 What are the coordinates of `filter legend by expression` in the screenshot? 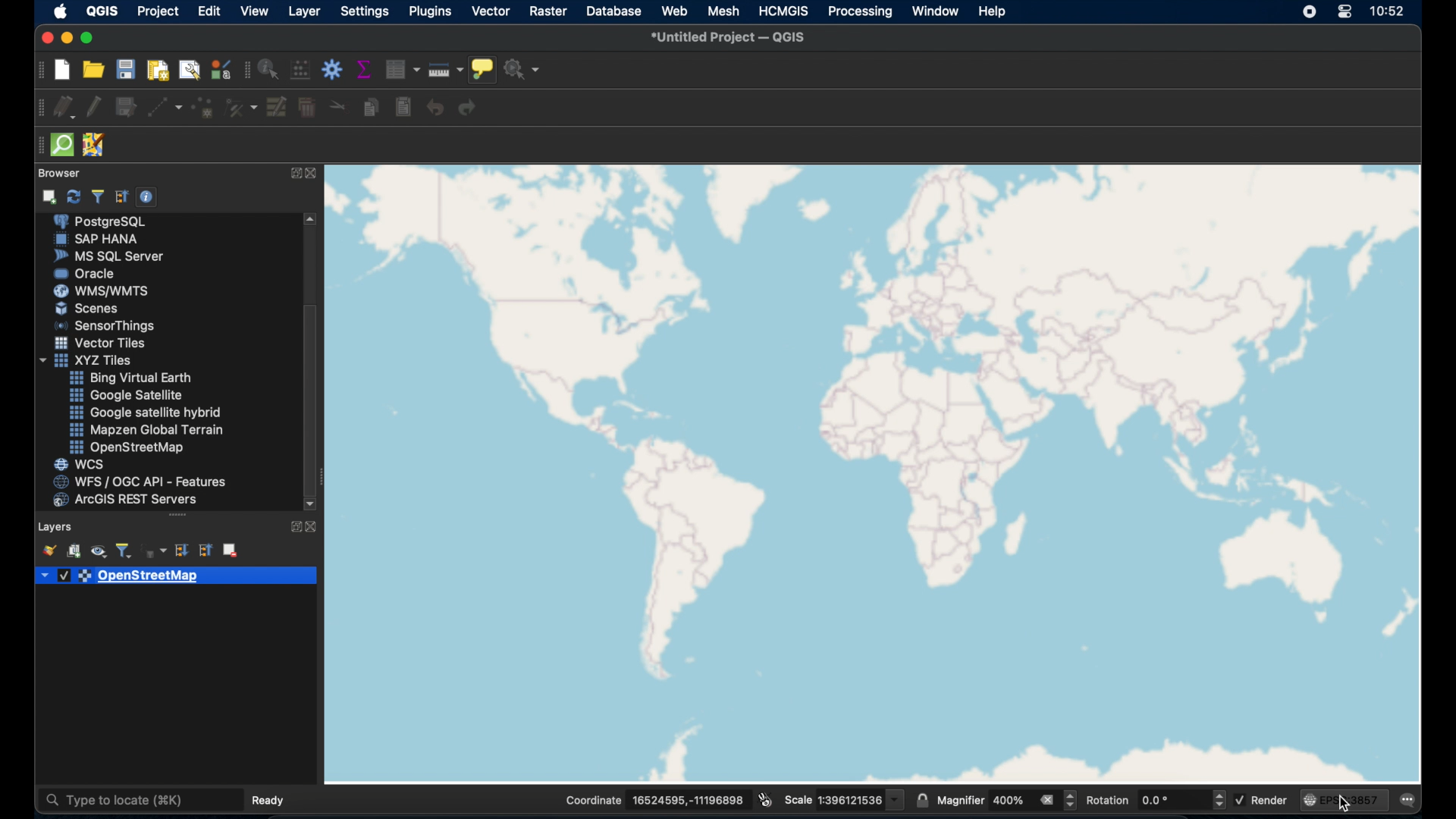 It's located at (156, 551).